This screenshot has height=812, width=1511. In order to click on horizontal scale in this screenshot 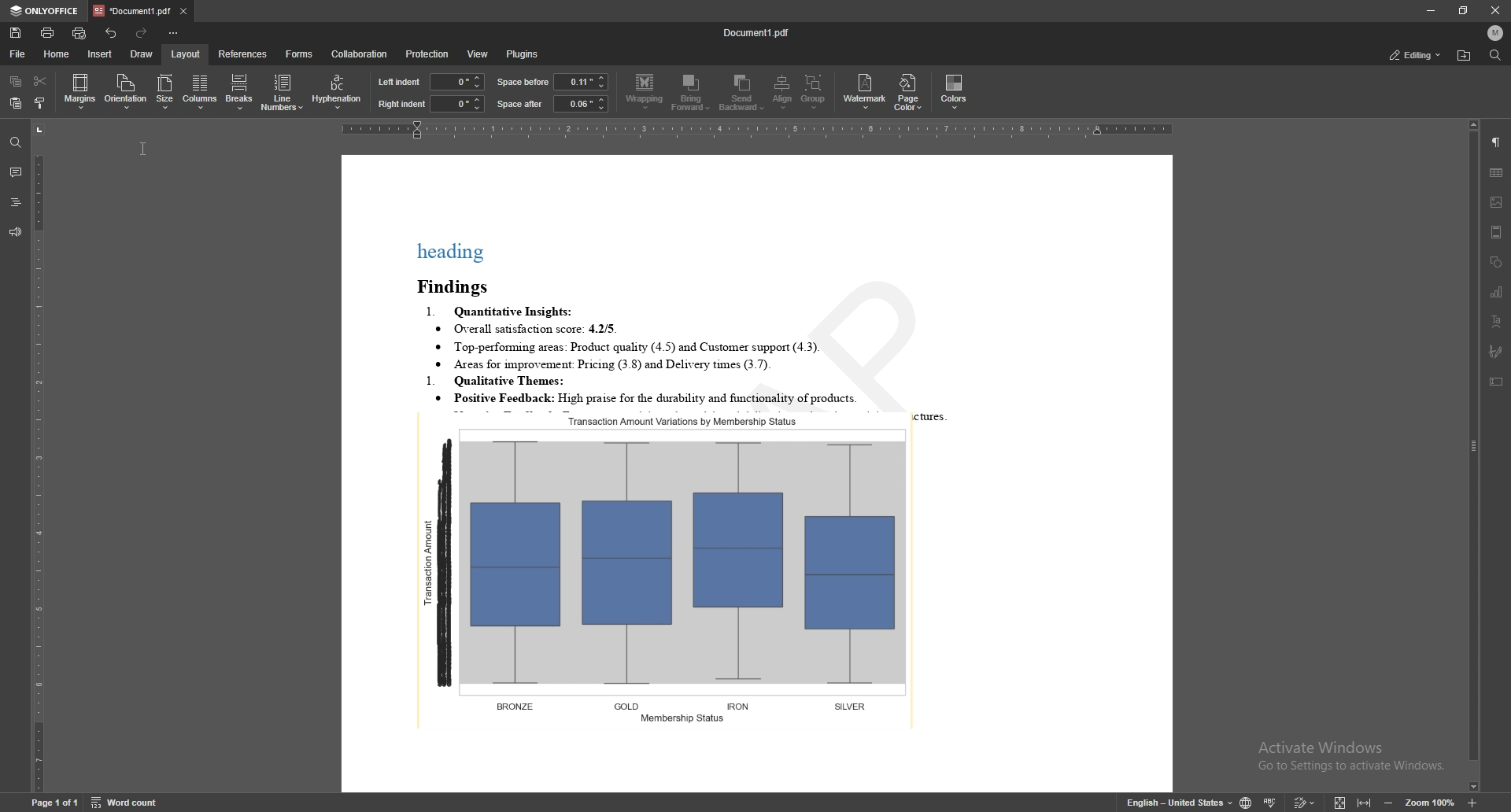, I will do `click(761, 128)`.